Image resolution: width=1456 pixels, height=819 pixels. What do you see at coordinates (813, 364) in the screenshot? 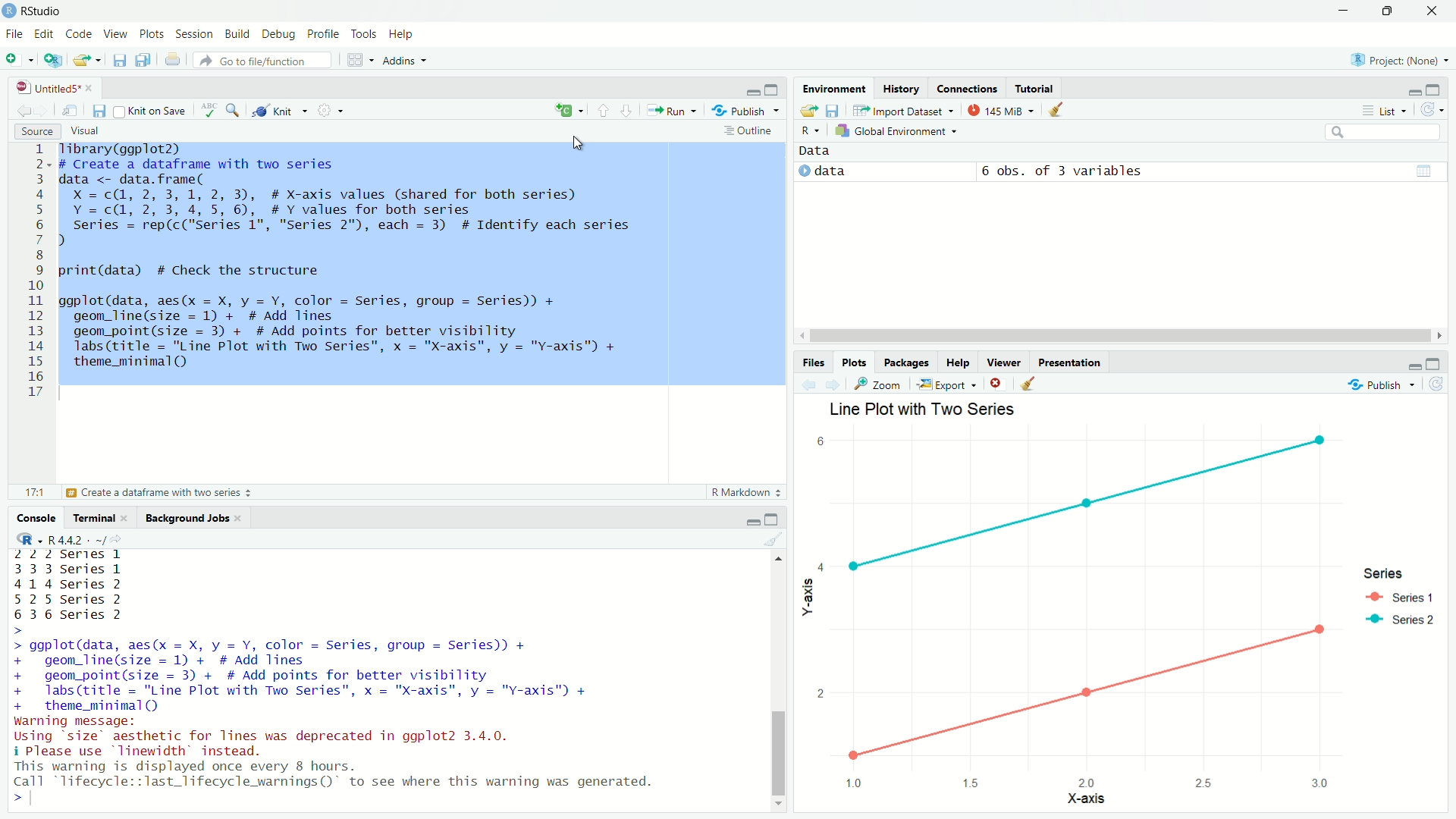
I see `Files` at bounding box center [813, 364].